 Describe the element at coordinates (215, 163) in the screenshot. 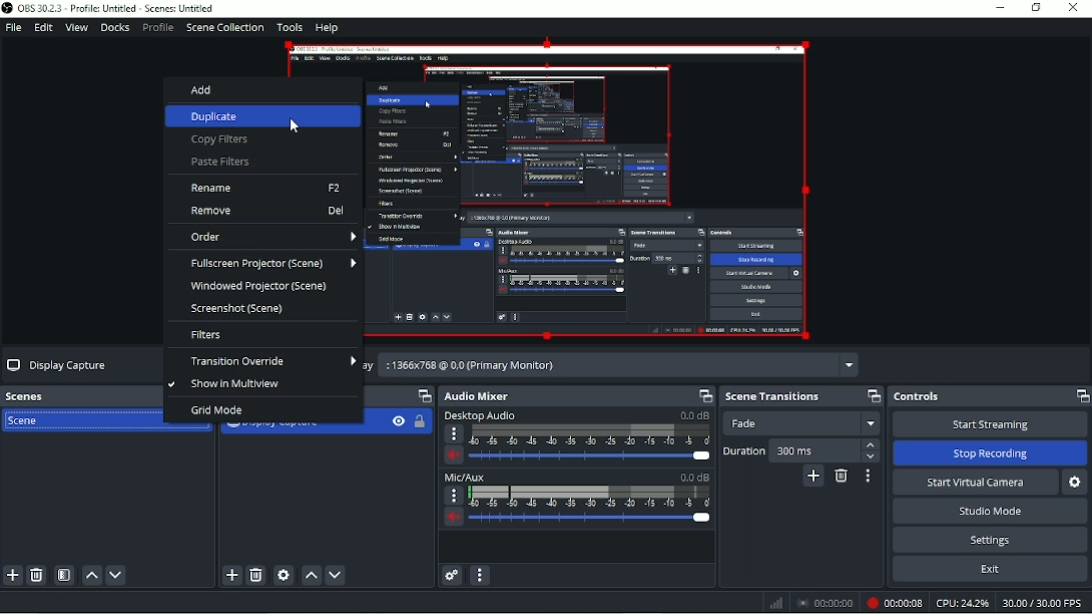

I see `Paste Filters` at that location.